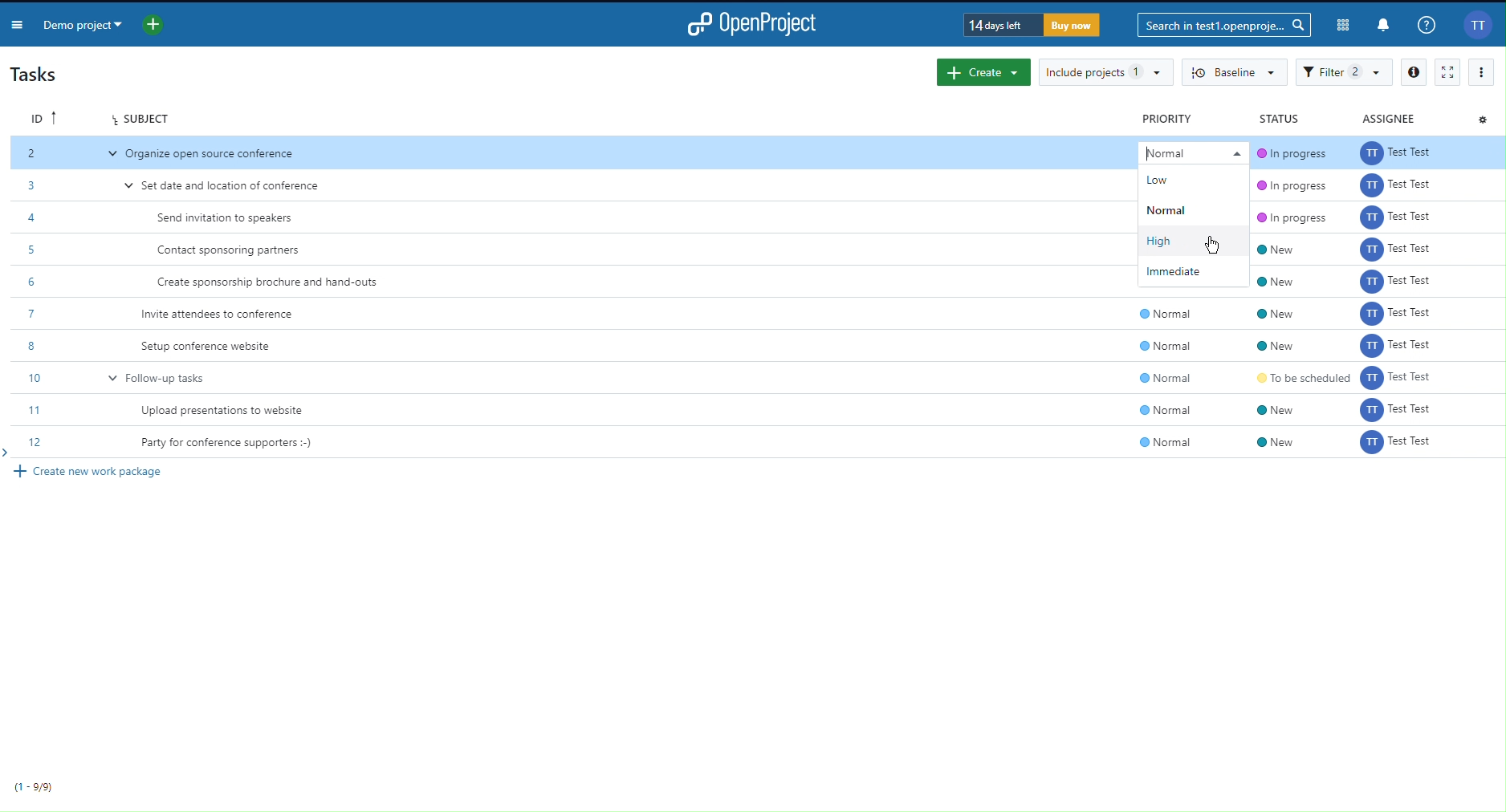 The width and height of the screenshot is (1506, 812). What do you see at coordinates (1481, 71) in the screenshot?
I see `More` at bounding box center [1481, 71].